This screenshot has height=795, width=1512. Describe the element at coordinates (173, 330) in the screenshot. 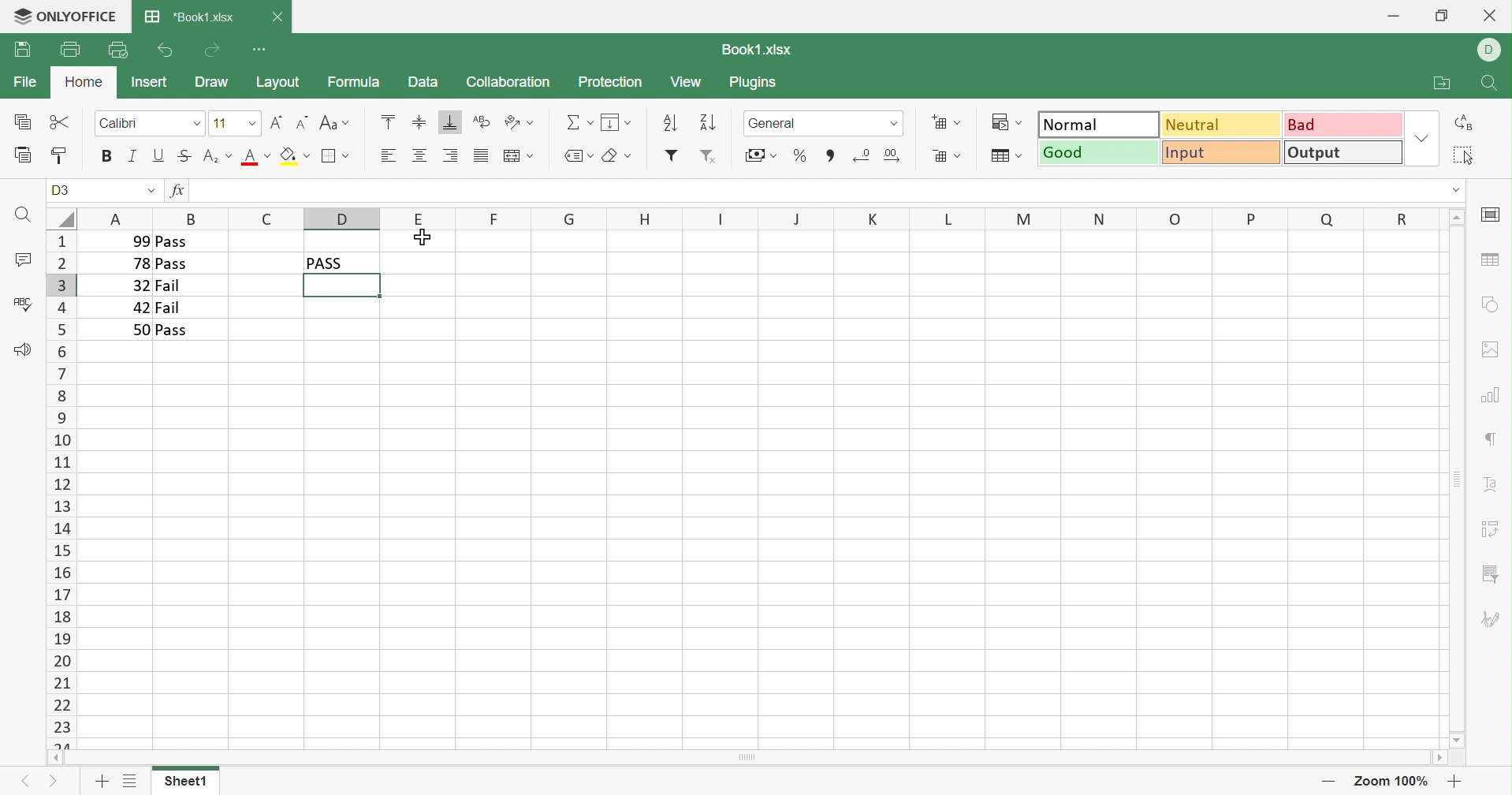

I see `Pass` at that location.